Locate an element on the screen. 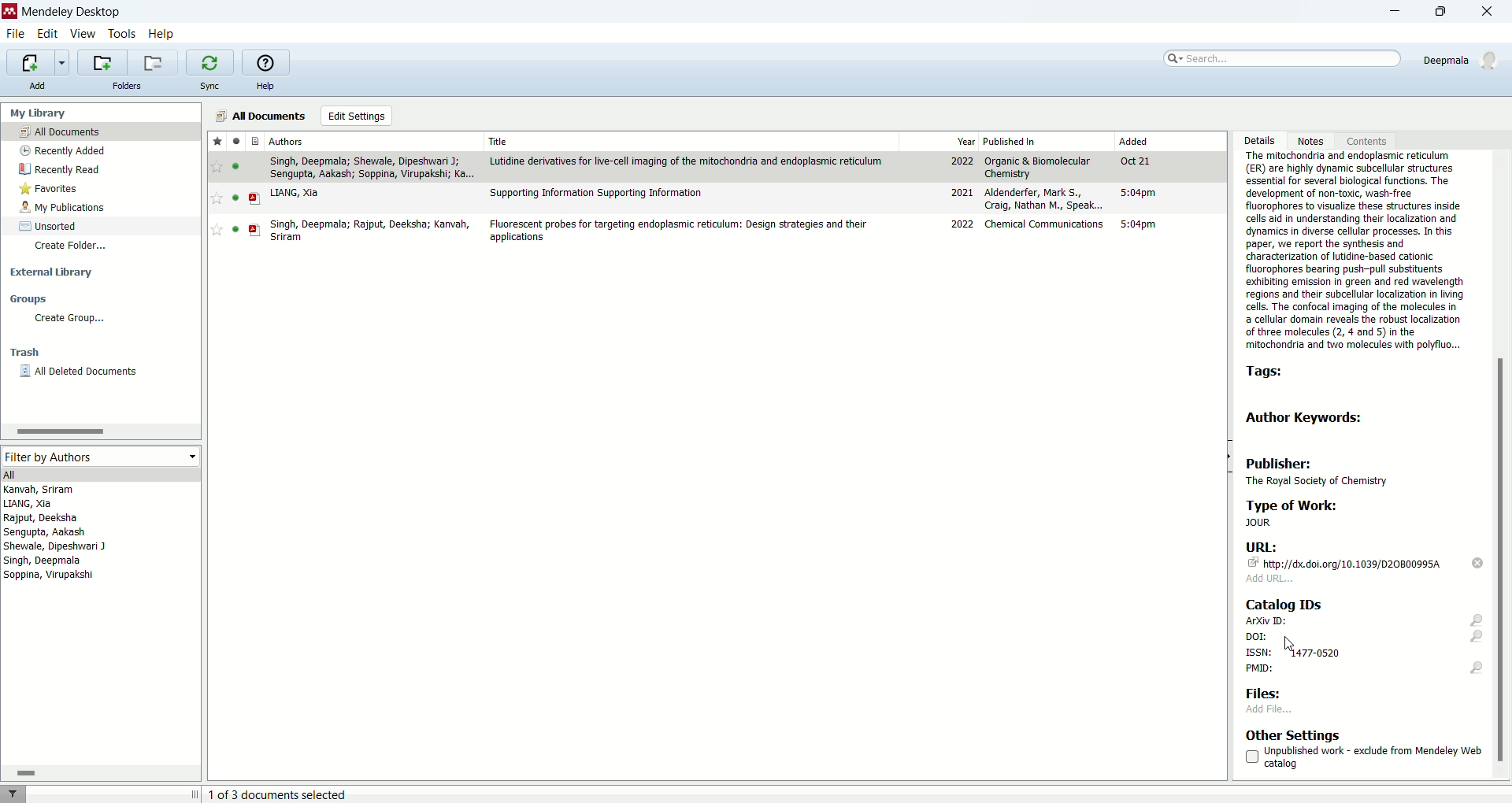 The image size is (1512, 803). view is located at coordinates (81, 34).